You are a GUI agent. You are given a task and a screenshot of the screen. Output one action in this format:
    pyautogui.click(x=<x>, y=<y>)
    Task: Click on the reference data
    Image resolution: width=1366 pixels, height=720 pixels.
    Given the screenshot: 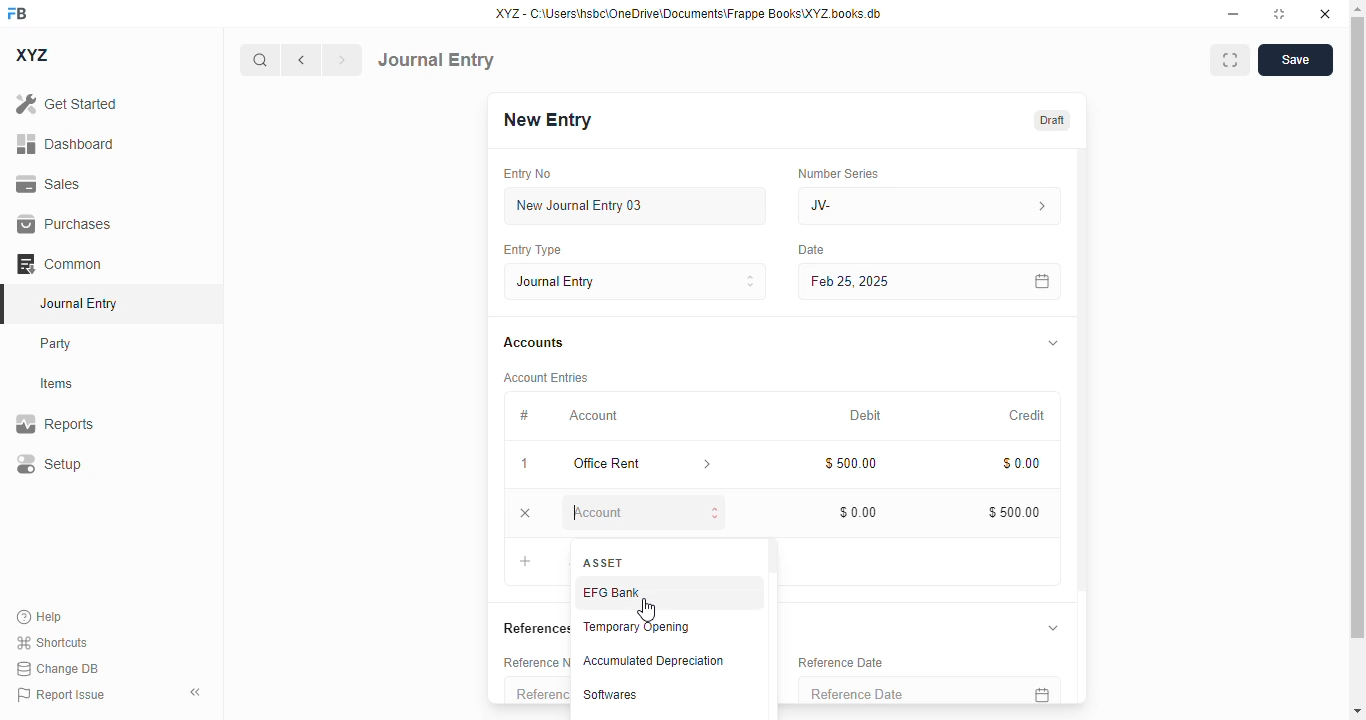 What is the action you would take?
    pyautogui.click(x=840, y=663)
    